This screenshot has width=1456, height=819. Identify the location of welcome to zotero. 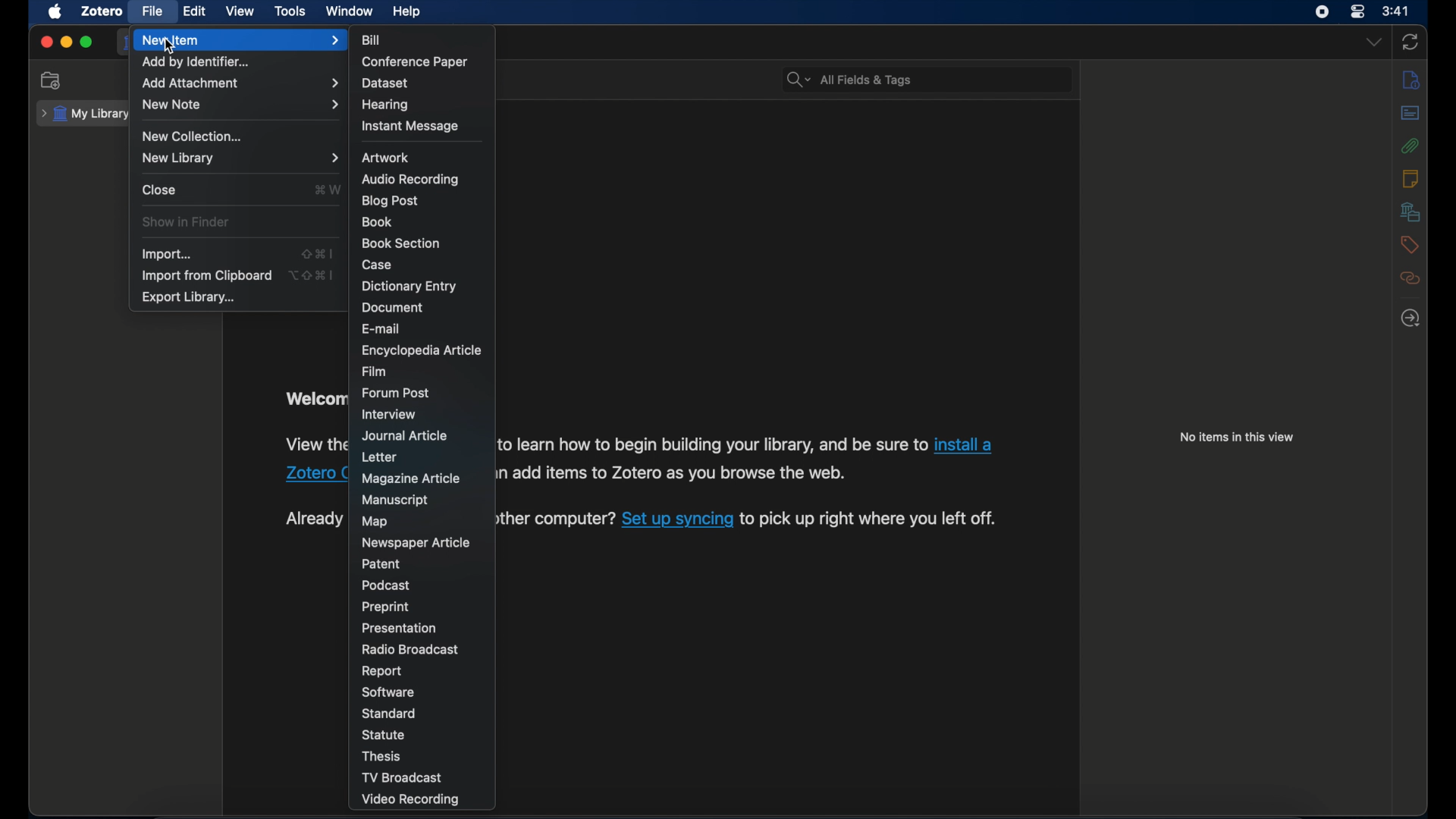
(315, 399).